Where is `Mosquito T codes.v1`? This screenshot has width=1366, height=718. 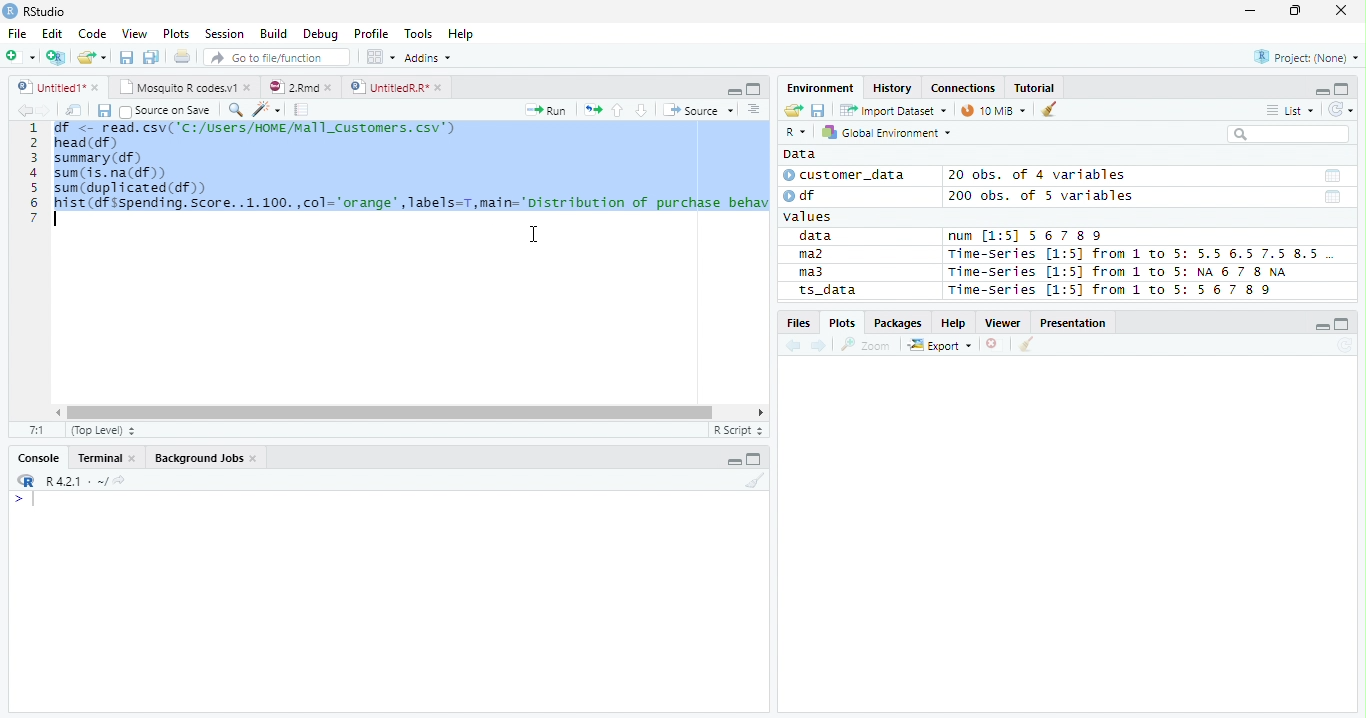 Mosquito T codes.v1 is located at coordinates (185, 88).